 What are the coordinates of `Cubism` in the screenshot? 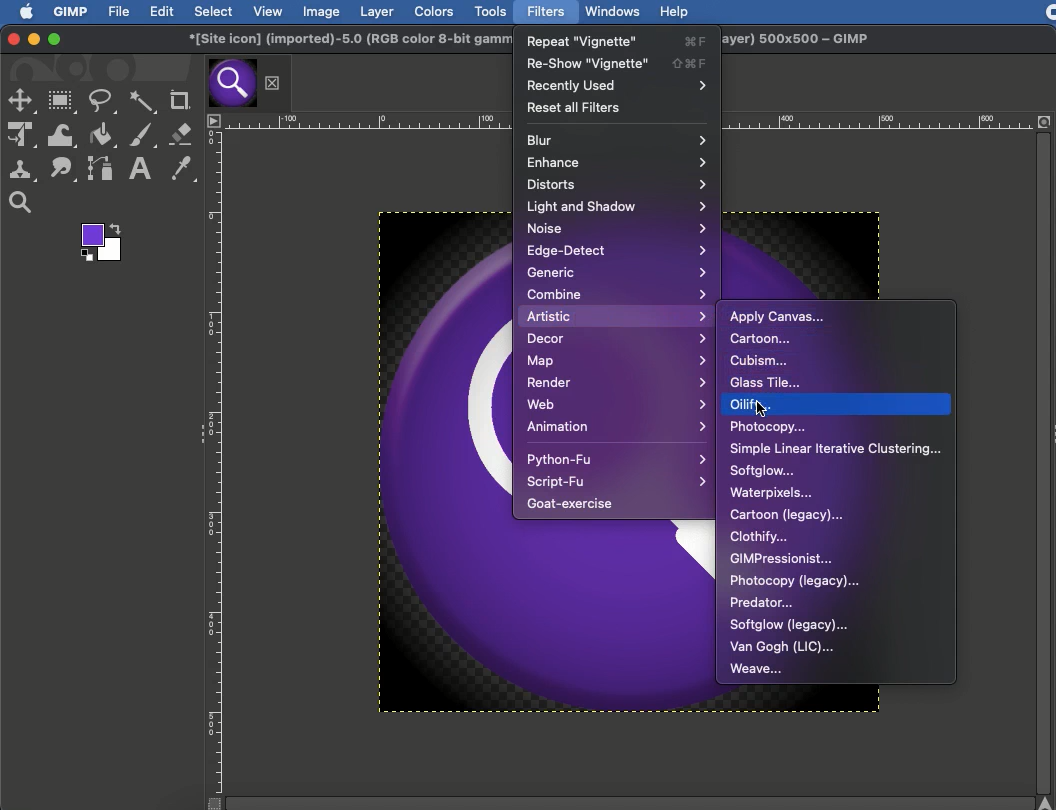 It's located at (759, 360).